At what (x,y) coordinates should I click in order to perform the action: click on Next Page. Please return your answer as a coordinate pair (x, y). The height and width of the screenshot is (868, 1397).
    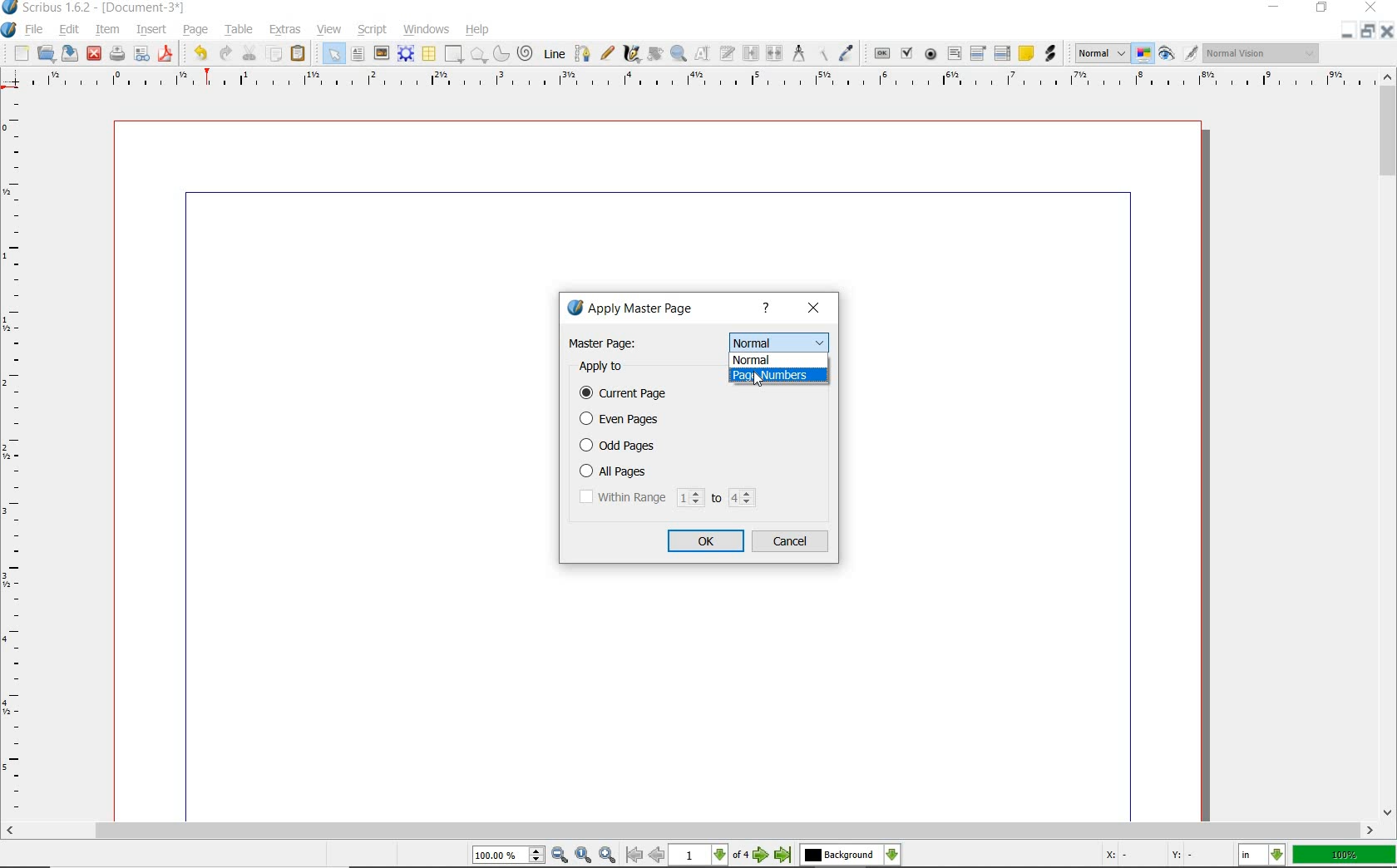
    Looking at the image, I should click on (762, 856).